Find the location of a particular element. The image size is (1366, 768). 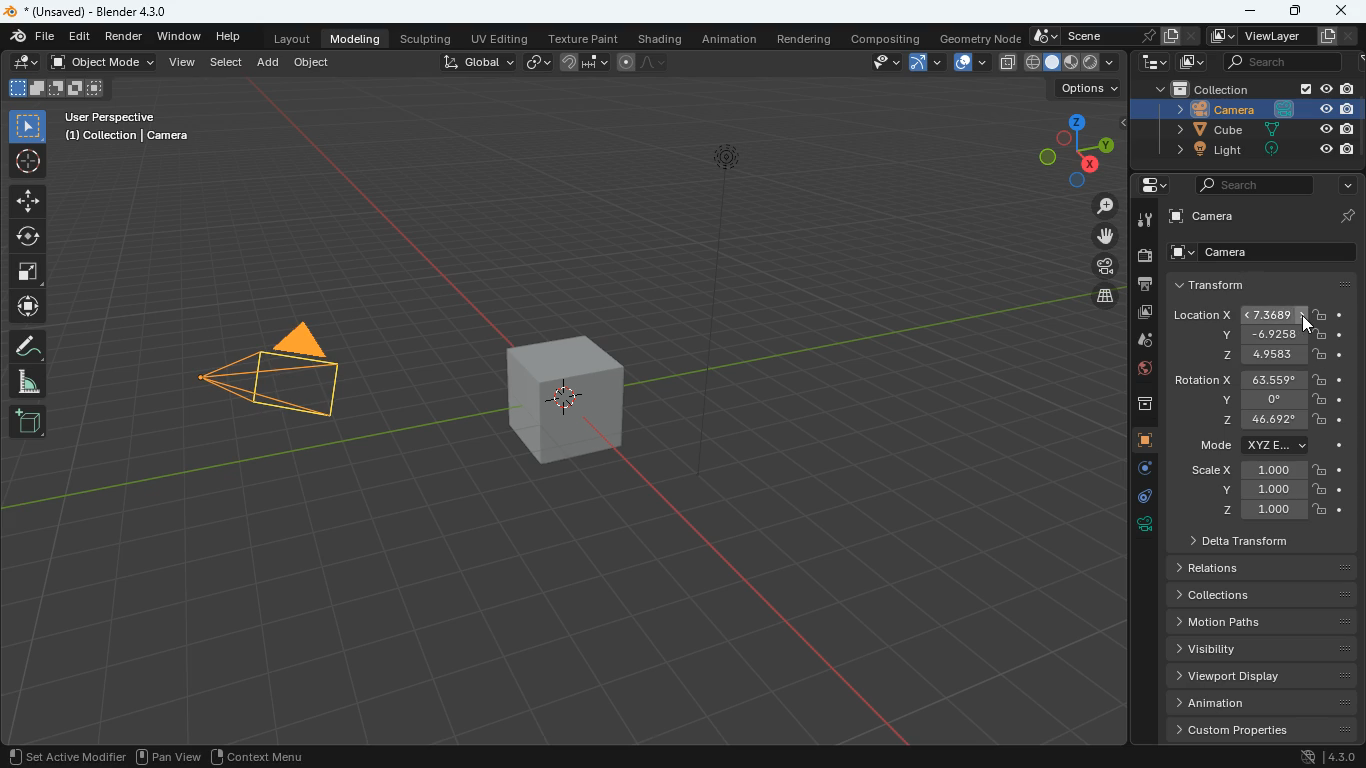

location x is located at coordinates (1265, 313).